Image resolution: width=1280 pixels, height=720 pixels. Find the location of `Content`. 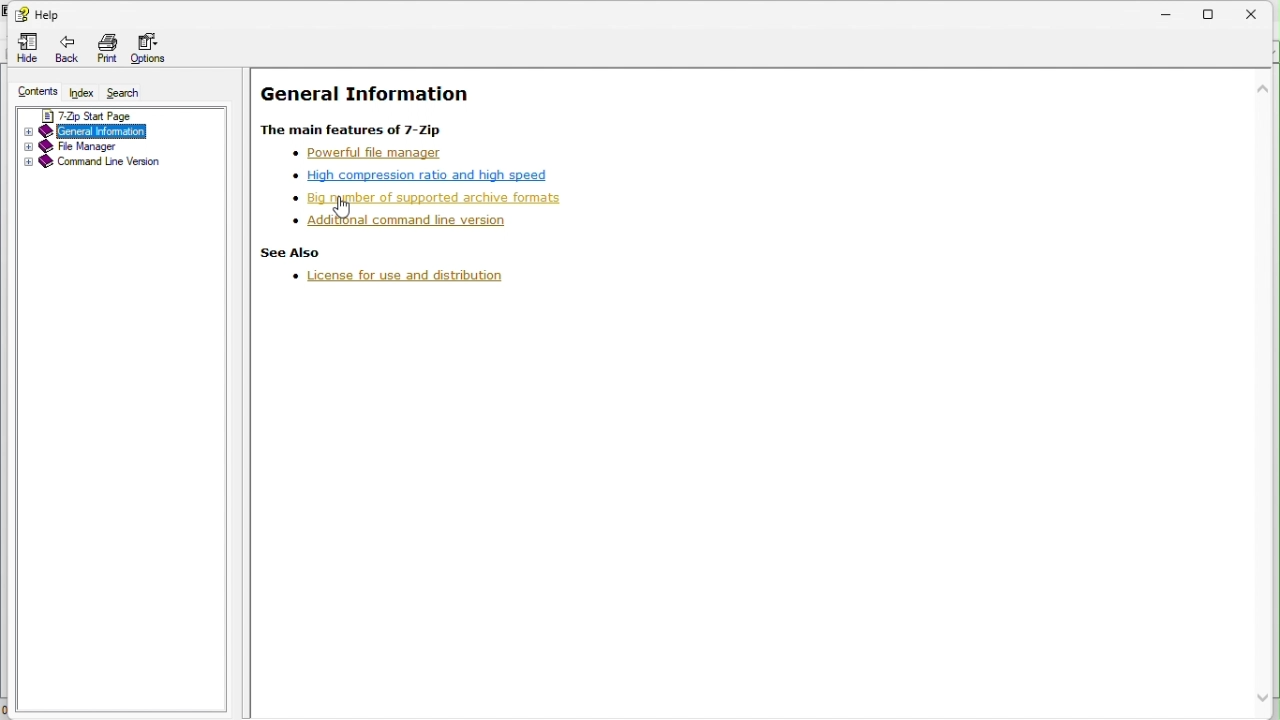

Content is located at coordinates (35, 91).